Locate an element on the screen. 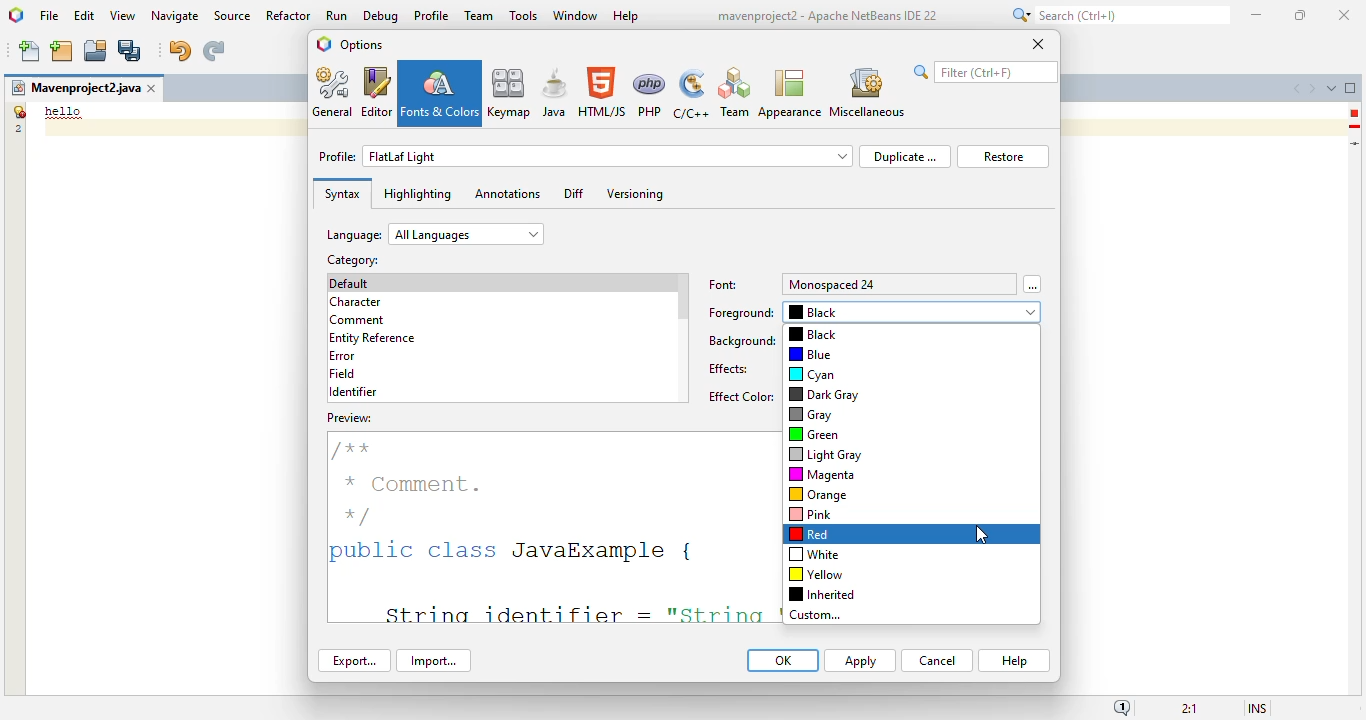 Image resolution: width=1366 pixels, height=720 pixels. effect color:  is located at coordinates (740, 396).